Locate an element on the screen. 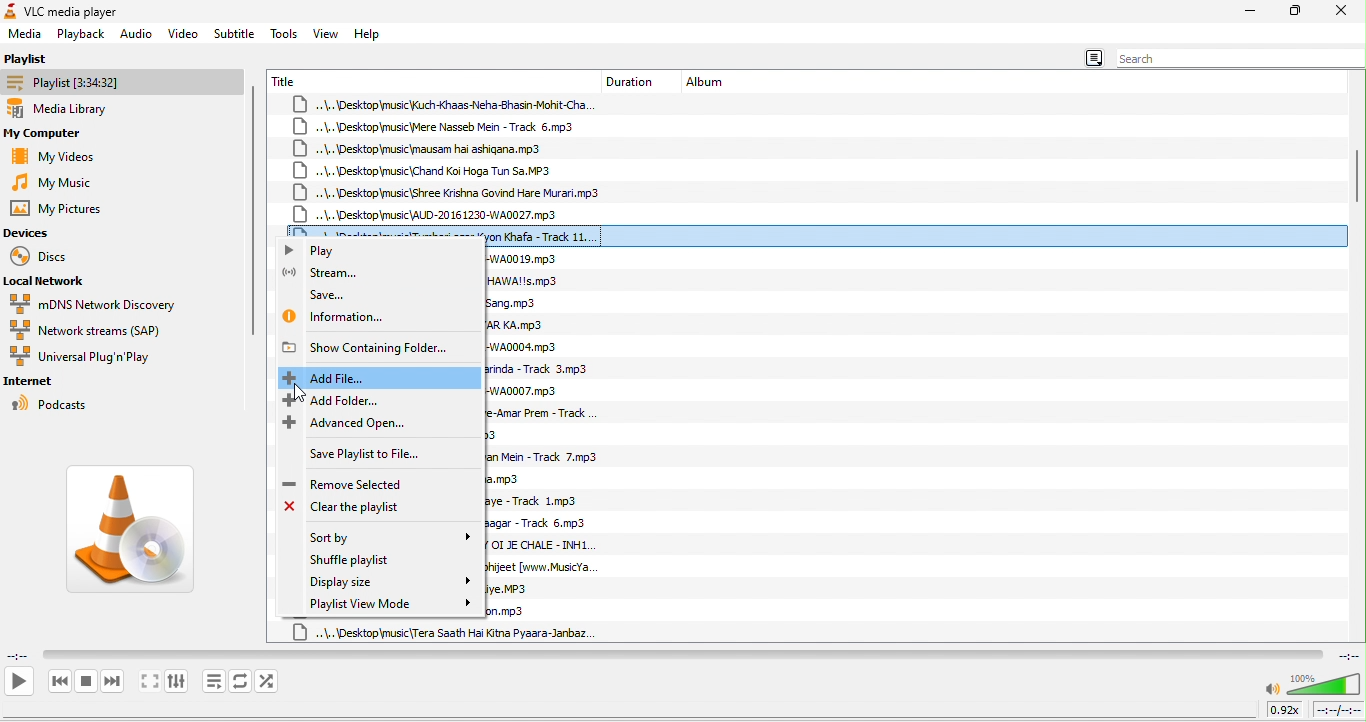 The height and width of the screenshot is (722, 1366). +\..\Desktop\music\Shree Krishna Govind Hare Murari.mp3. is located at coordinates (449, 192).